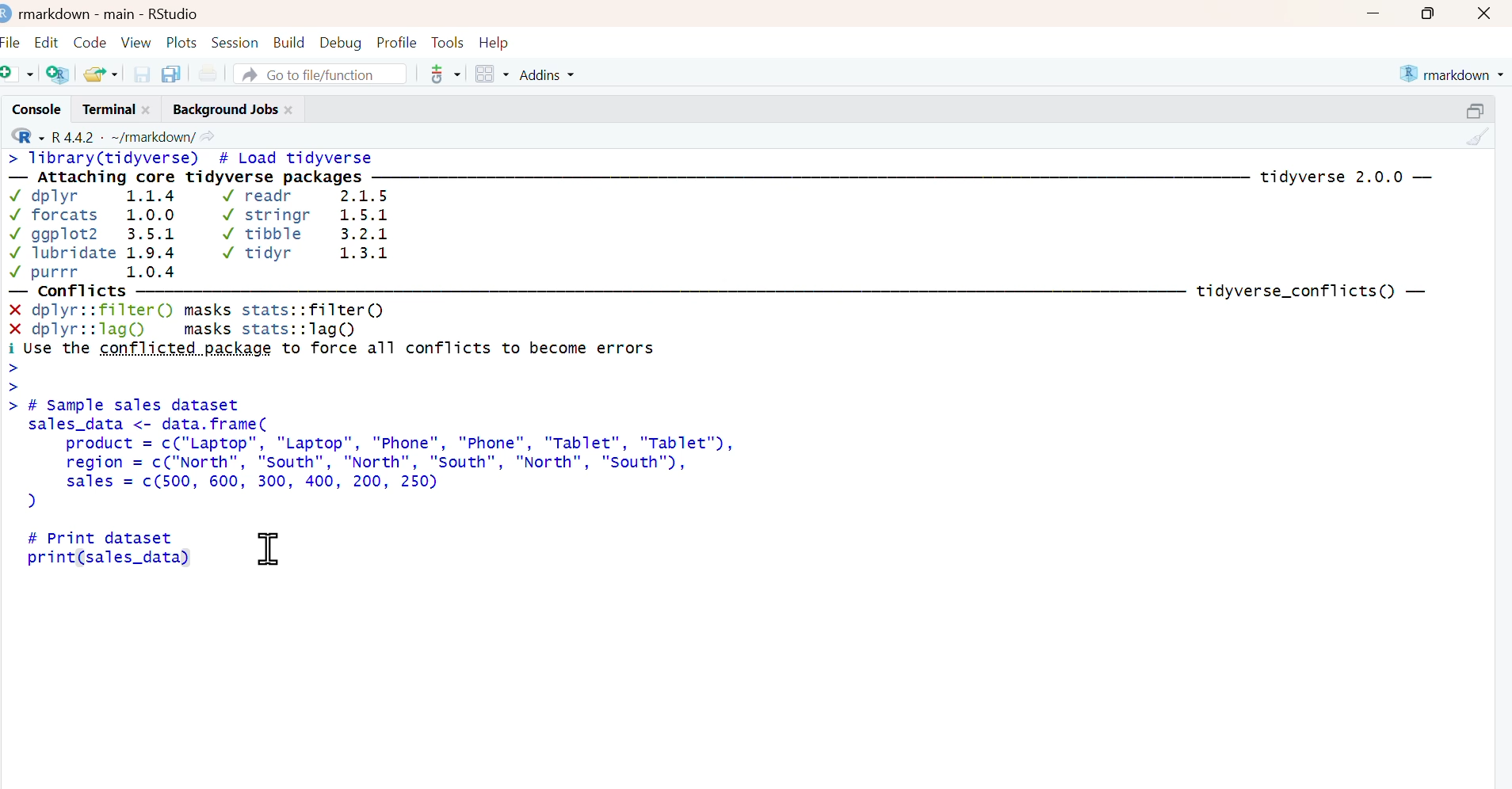 The image size is (1512, 789). Describe the element at coordinates (105, 109) in the screenshot. I see `Terminal` at that location.